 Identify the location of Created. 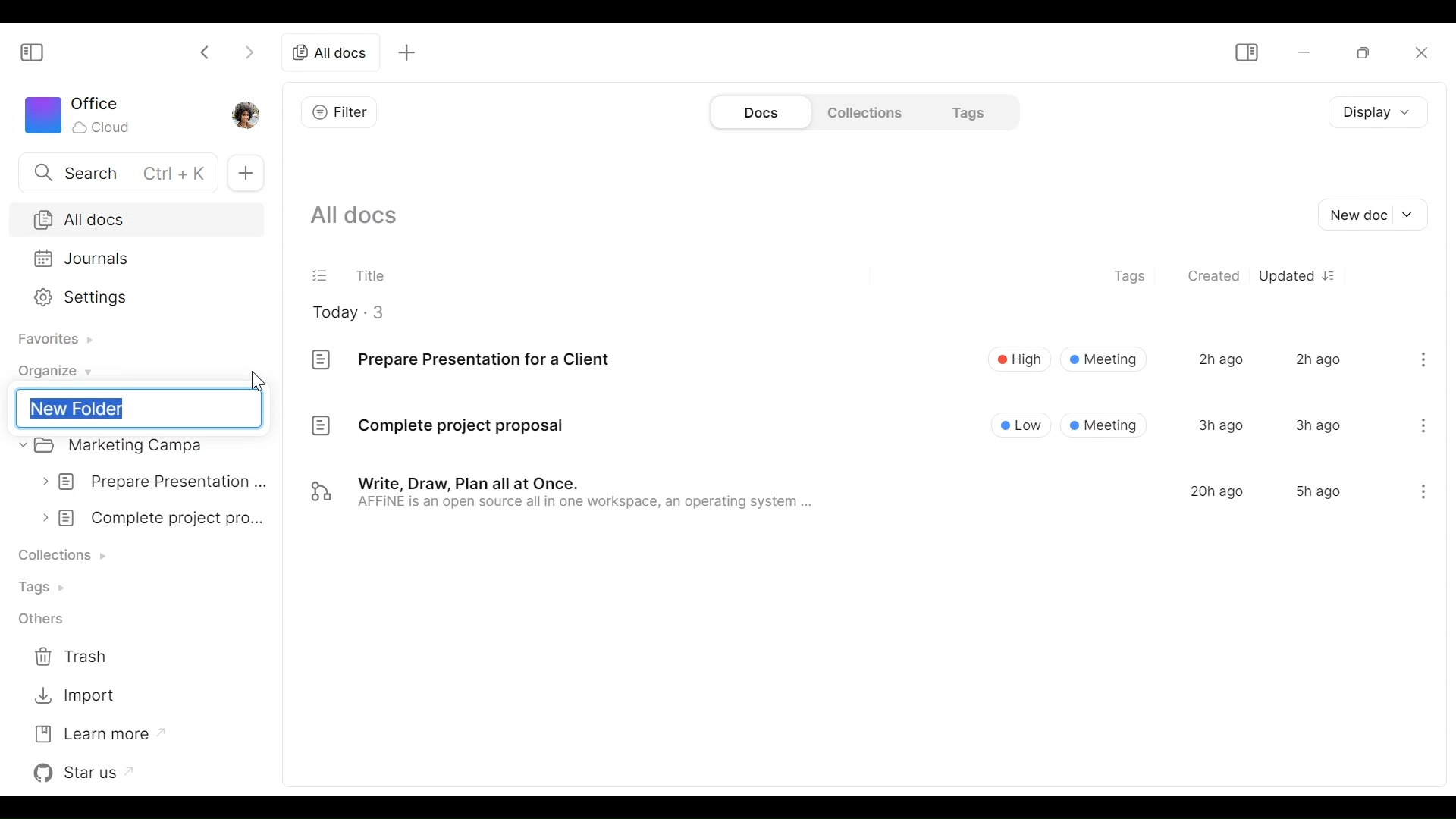
(1215, 277).